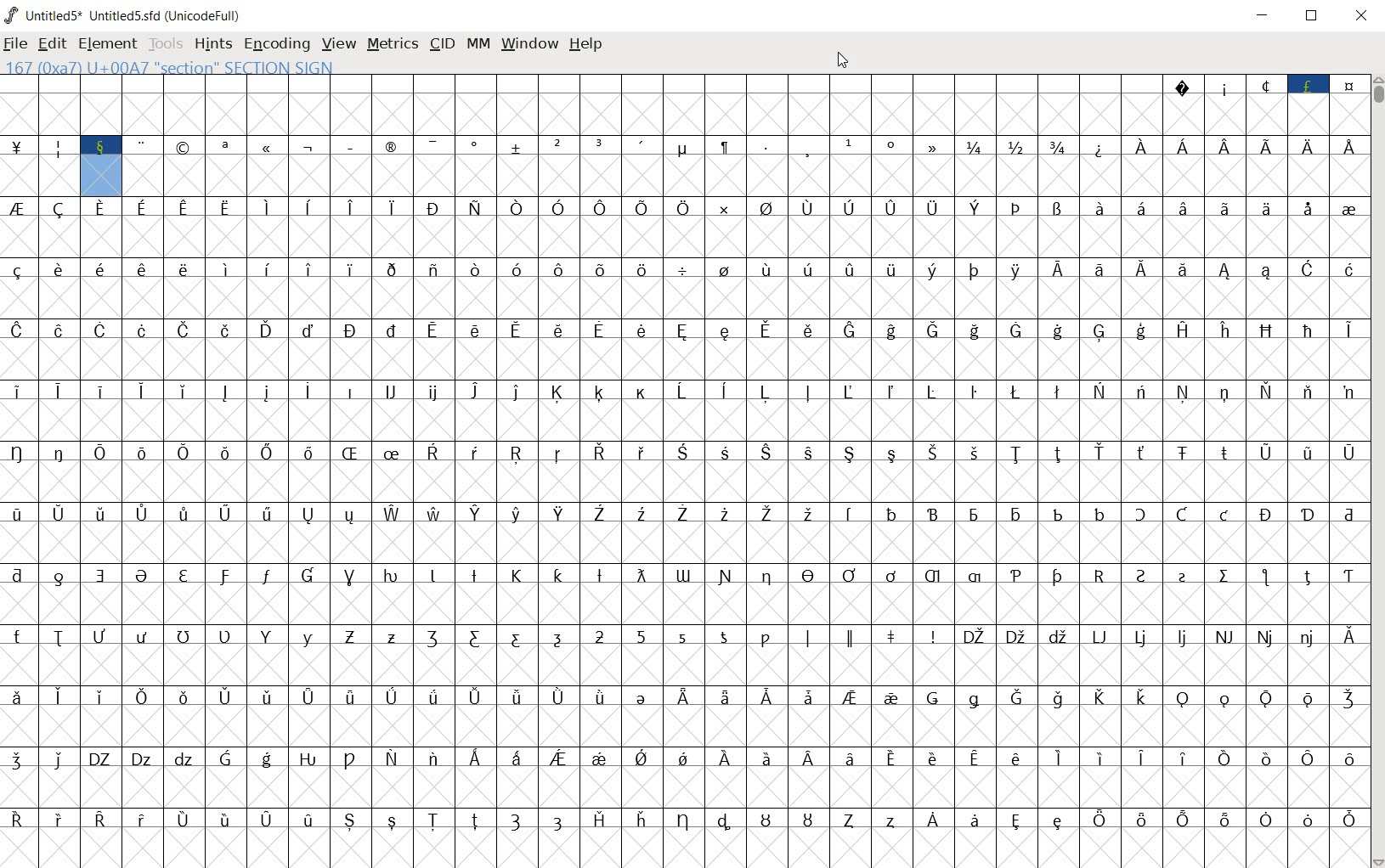 This screenshot has width=1385, height=868. Describe the element at coordinates (586, 45) in the screenshot. I see `help` at that location.